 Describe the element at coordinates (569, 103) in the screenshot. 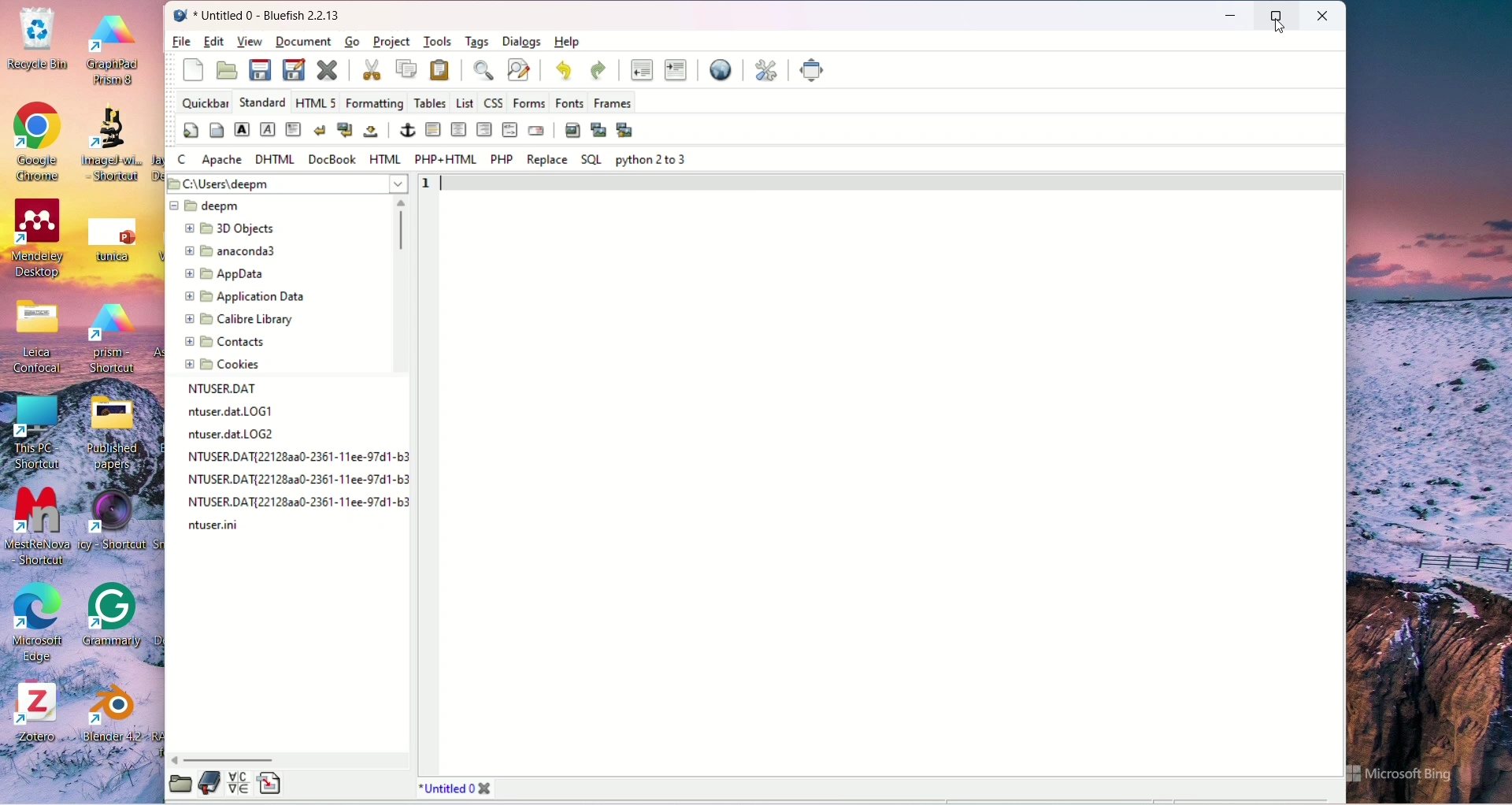

I see `fonts` at that location.